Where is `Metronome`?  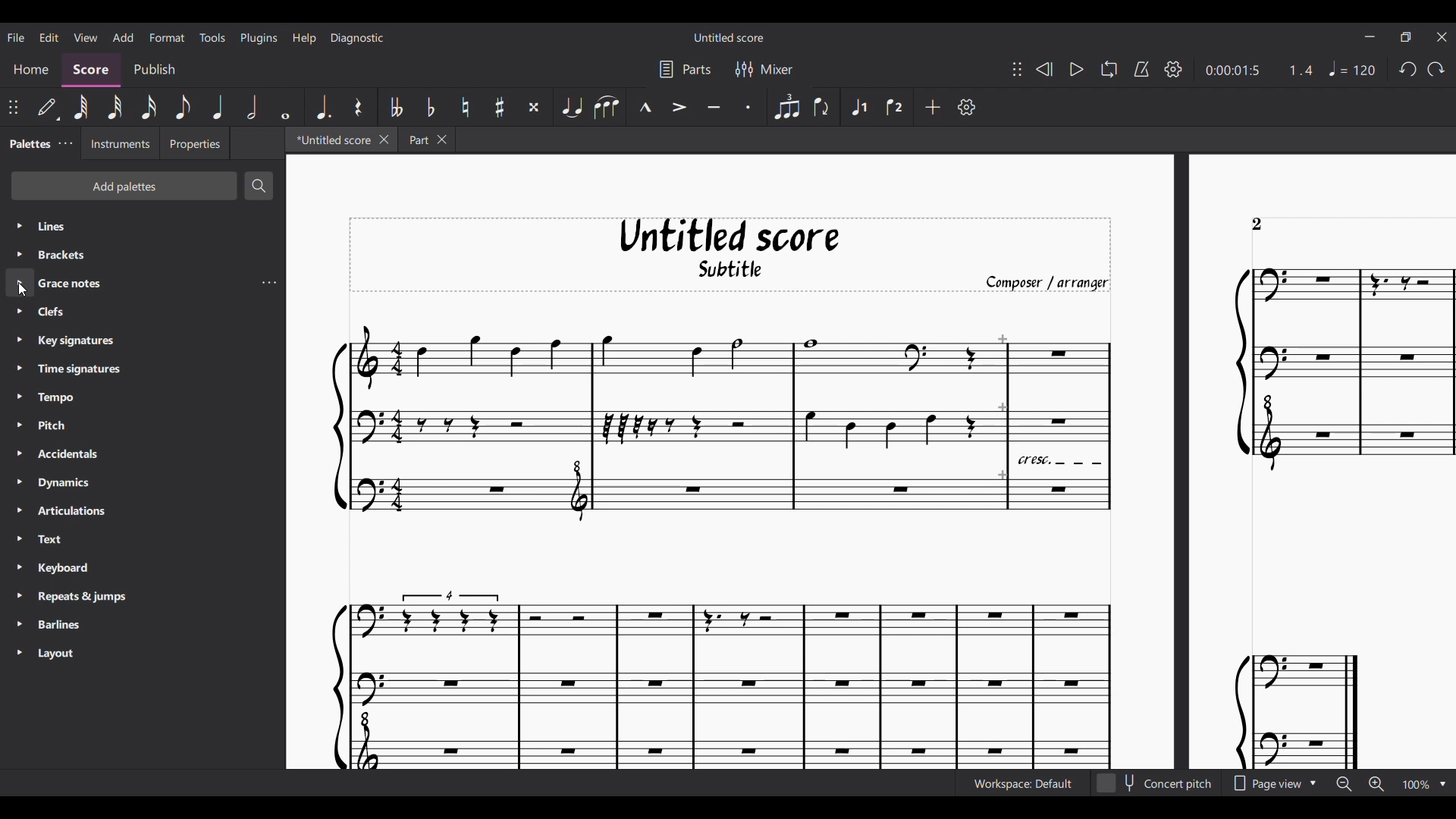 Metronome is located at coordinates (1141, 69).